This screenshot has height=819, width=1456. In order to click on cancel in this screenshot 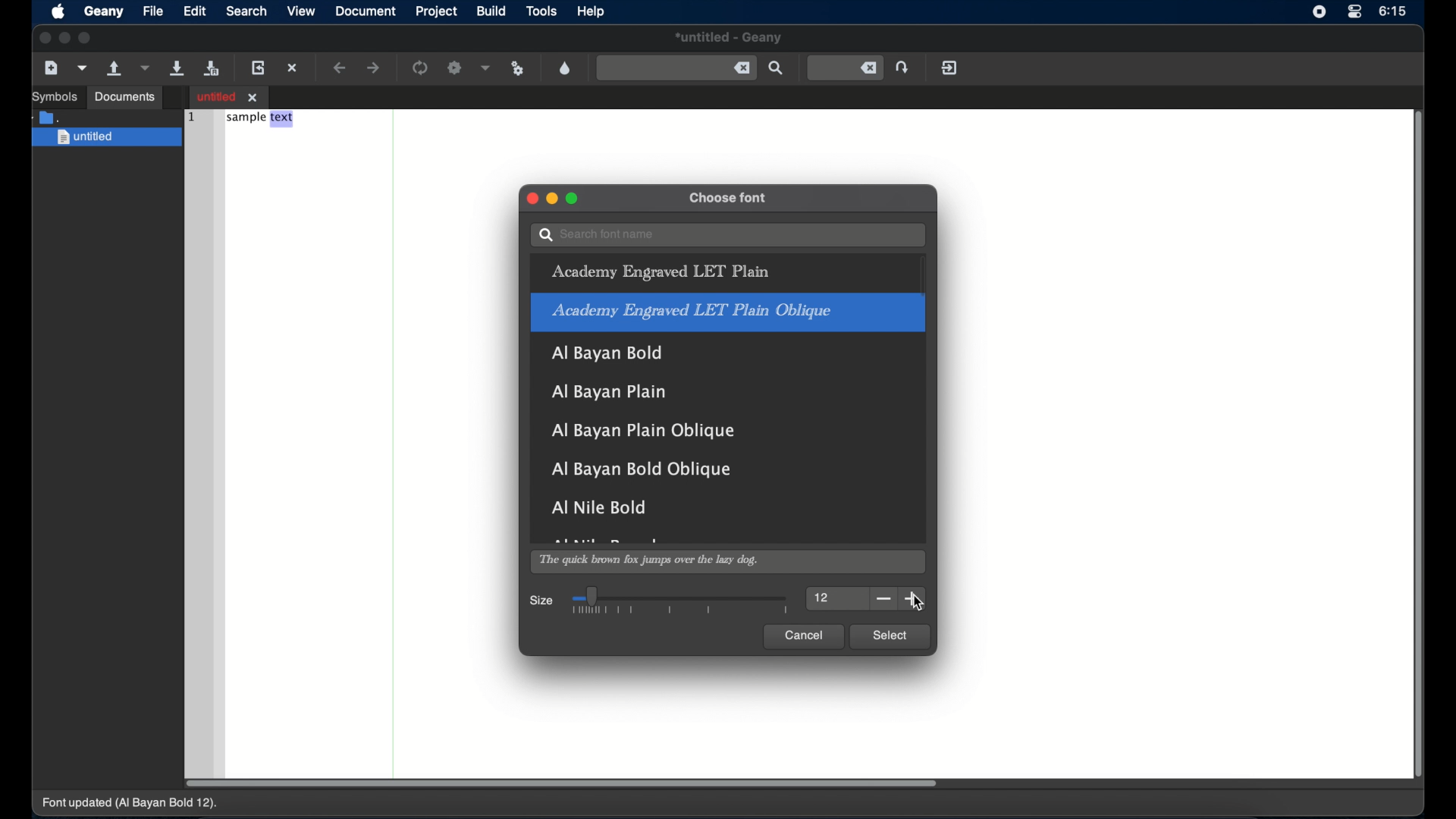, I will do `click(803, 636)`.